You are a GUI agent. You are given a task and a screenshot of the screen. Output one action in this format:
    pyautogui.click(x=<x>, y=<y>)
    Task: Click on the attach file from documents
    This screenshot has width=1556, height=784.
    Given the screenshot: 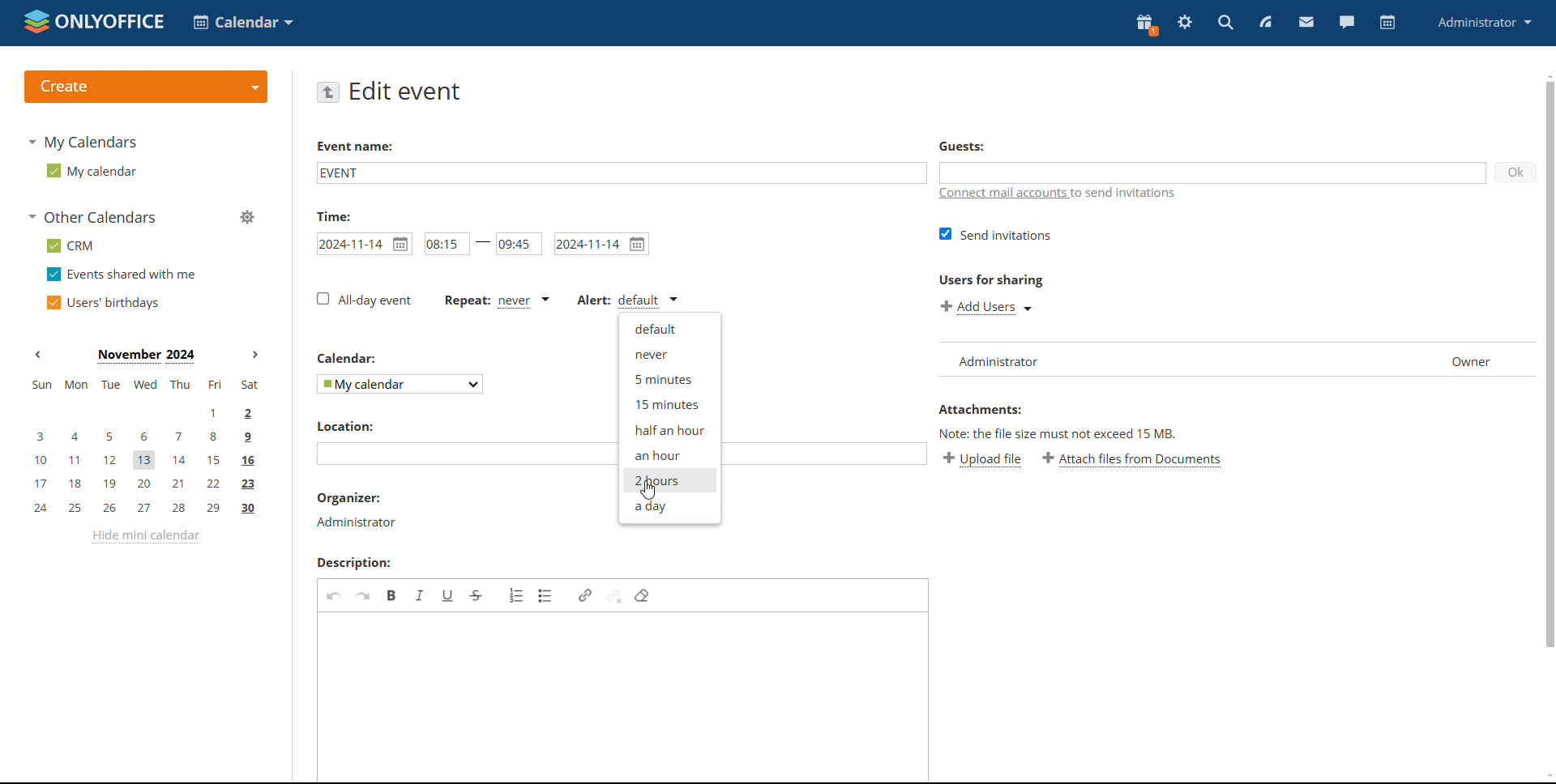 What is the action you would take?
    pyautogui.click(x=1131, y=460)
    